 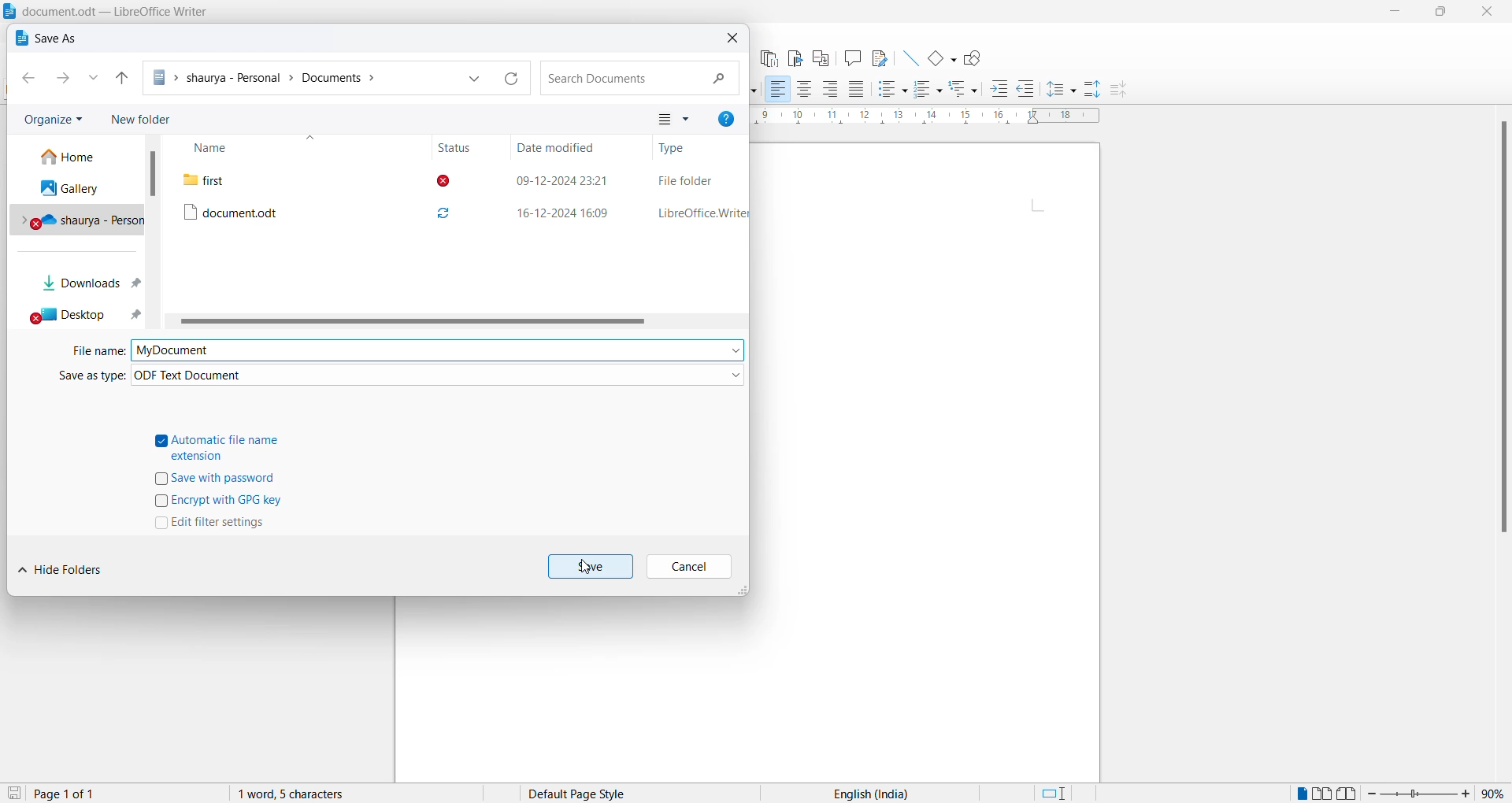 What do you see at coordinates (26, 80) in the screenshot?
I see `Go back` at bounding box center [26, 80].